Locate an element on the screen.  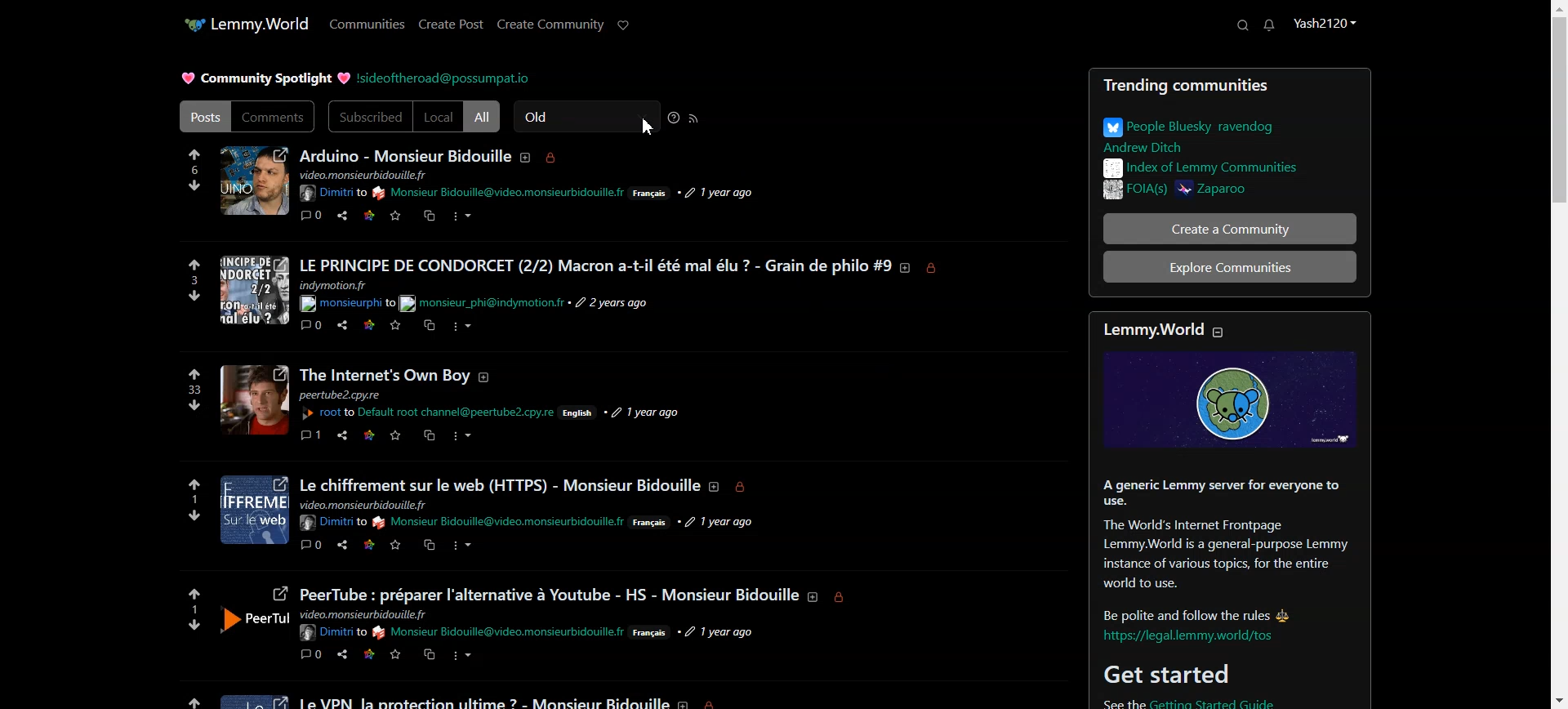
collapse is located at coordinates (1227, 331).